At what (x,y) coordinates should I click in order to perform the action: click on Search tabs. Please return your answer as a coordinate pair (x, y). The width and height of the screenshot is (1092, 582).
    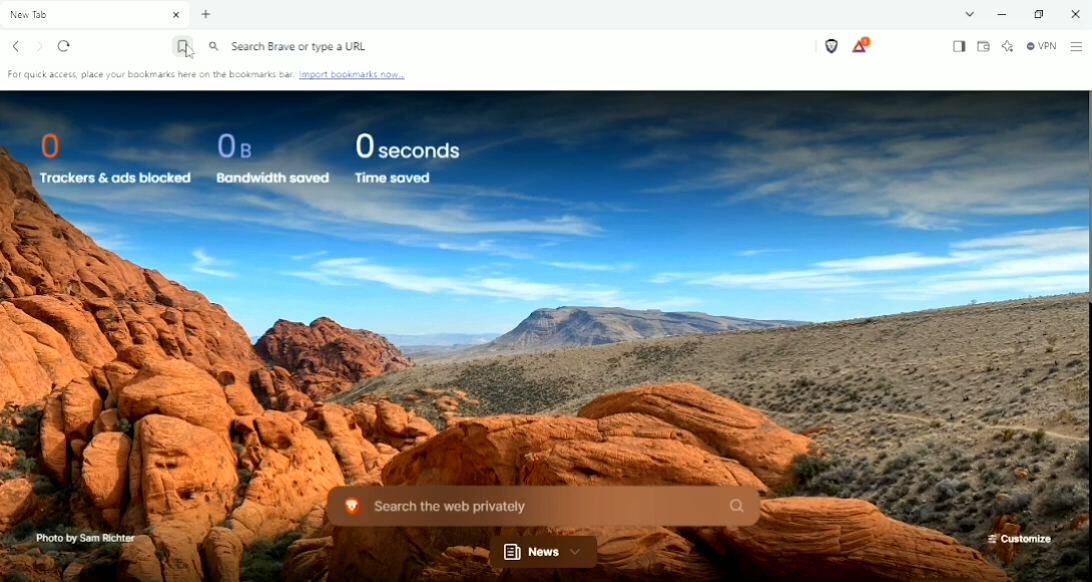
    Looking at the image, I should click on (970, 14).